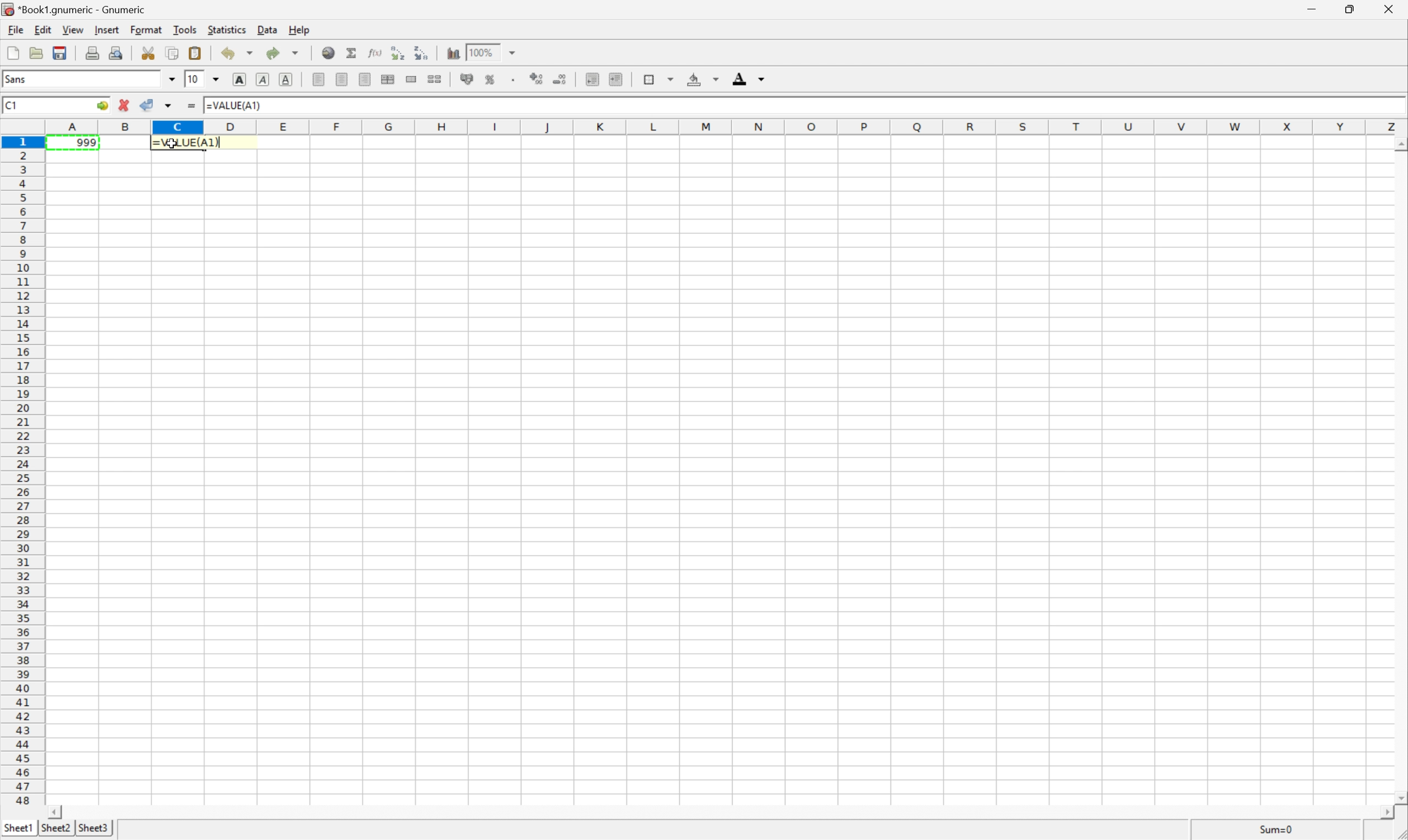 The width and height of the screenshot is (1408, 840). I want to click on Cells, so click(722, 483).